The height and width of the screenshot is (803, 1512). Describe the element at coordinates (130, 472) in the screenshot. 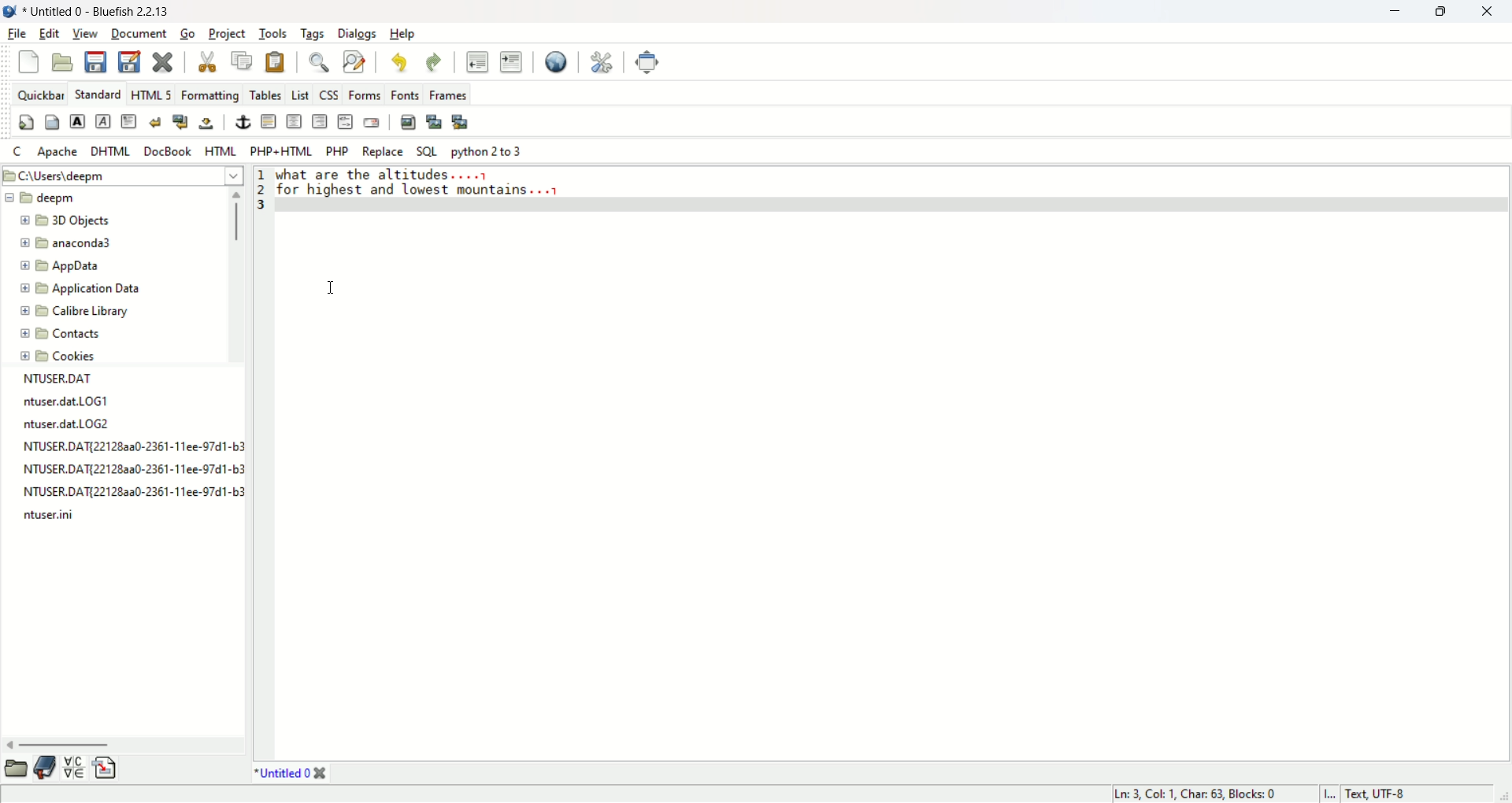

I see `file name` at that location.